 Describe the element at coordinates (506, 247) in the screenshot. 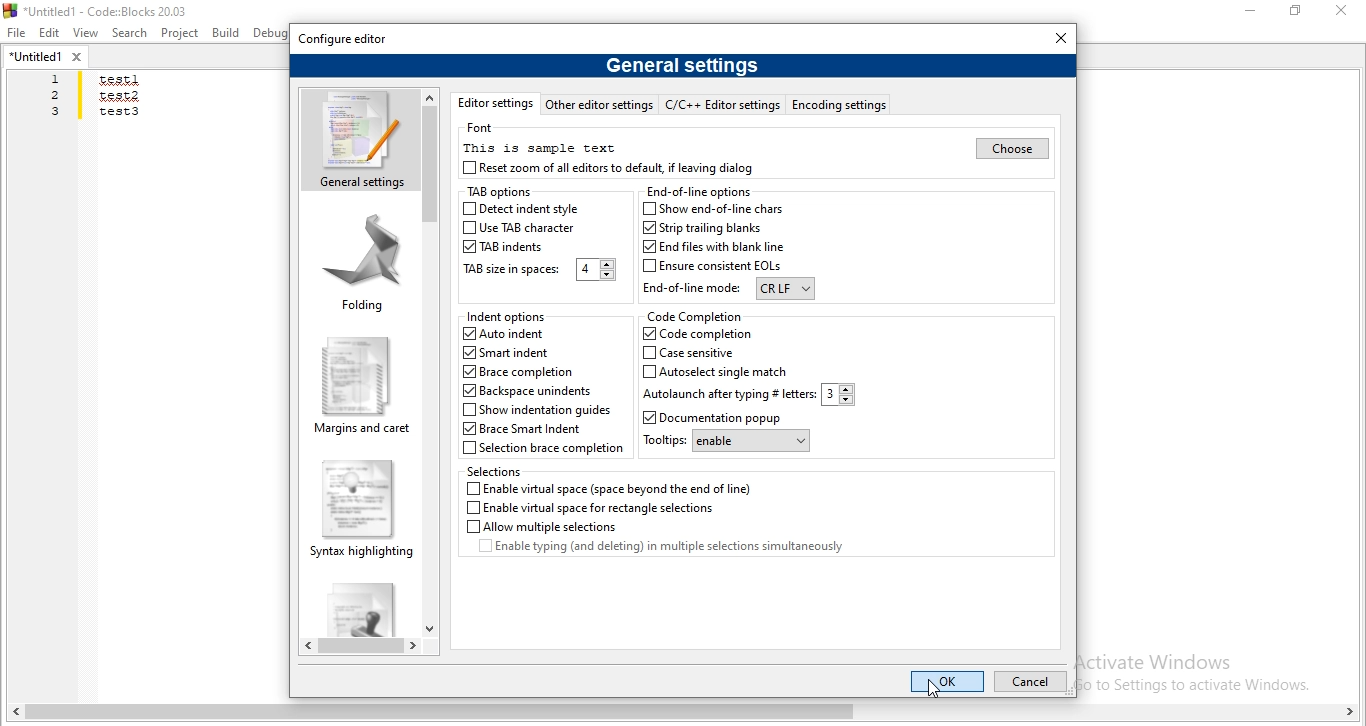

I see `TAB indents` at that location.